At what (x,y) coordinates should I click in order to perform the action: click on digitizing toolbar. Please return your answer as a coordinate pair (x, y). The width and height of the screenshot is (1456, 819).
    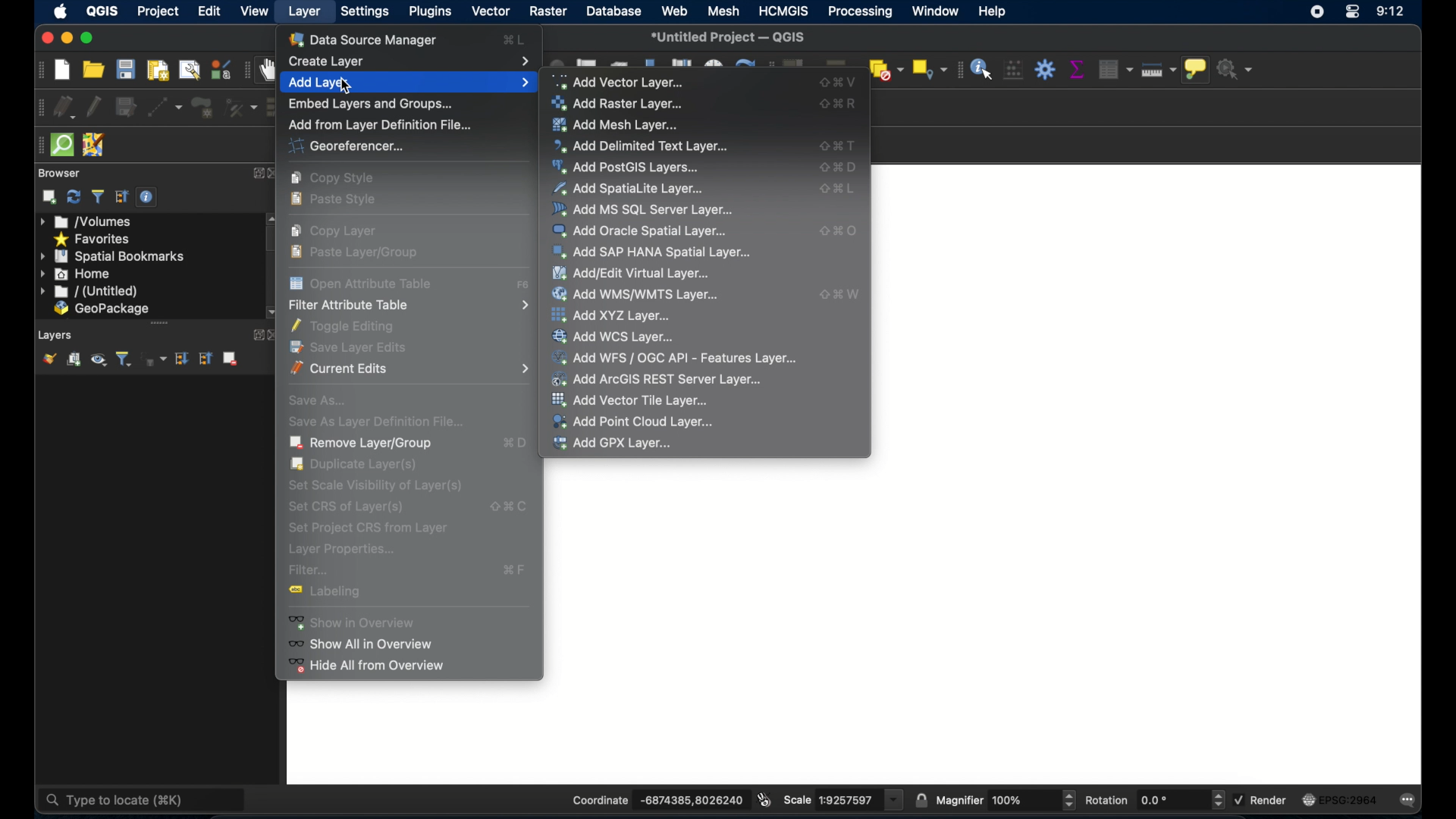
    Looking at the image, I should click on (36, 107).